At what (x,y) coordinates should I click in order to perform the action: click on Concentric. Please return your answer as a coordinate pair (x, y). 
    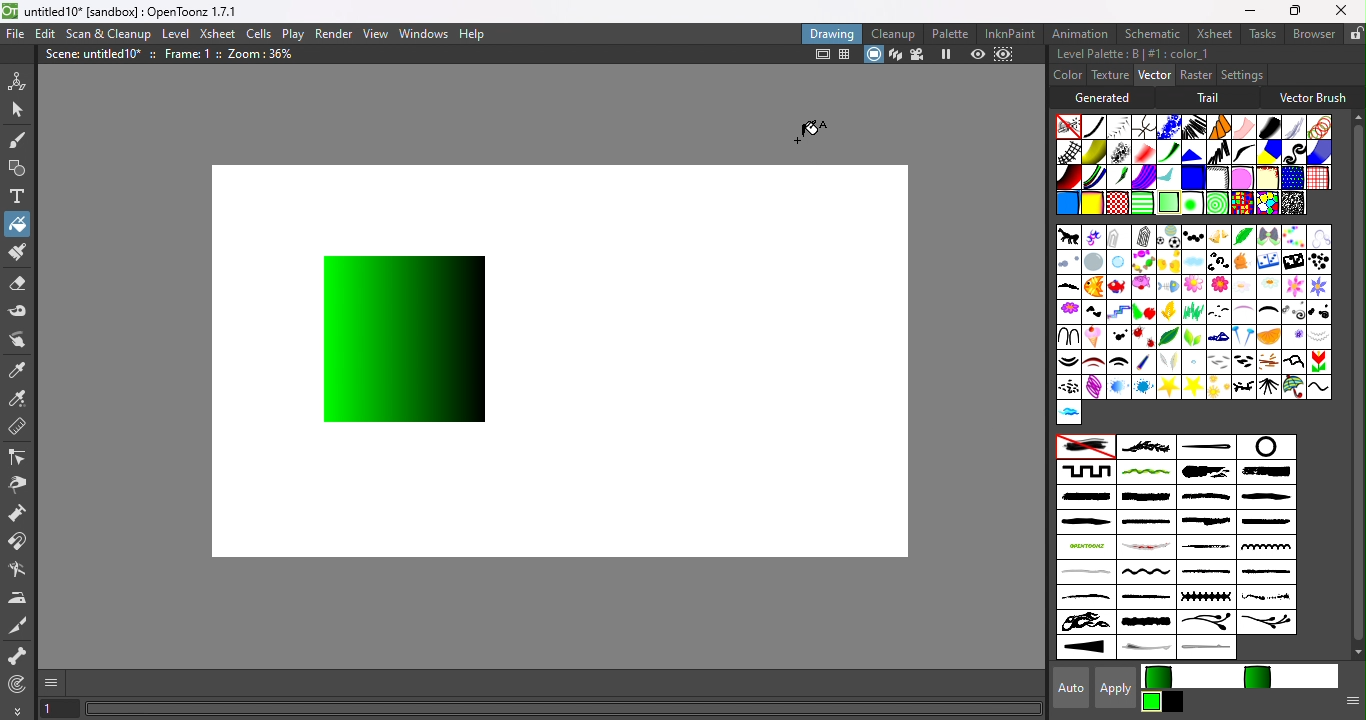
    Looking at the image, I should click on (1213, 203).